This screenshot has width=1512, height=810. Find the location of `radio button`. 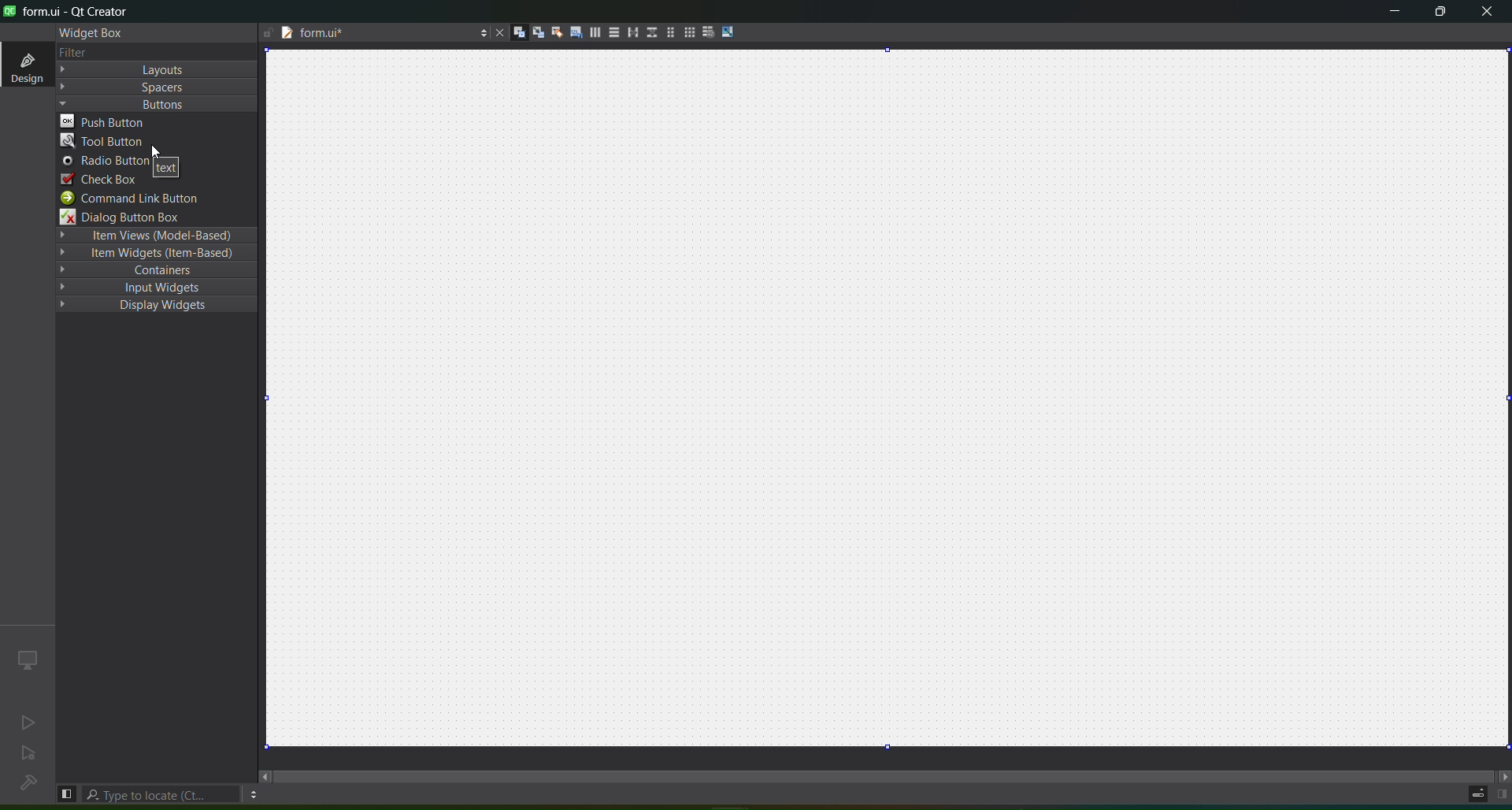

radio button is located at coordinates (151, 162).